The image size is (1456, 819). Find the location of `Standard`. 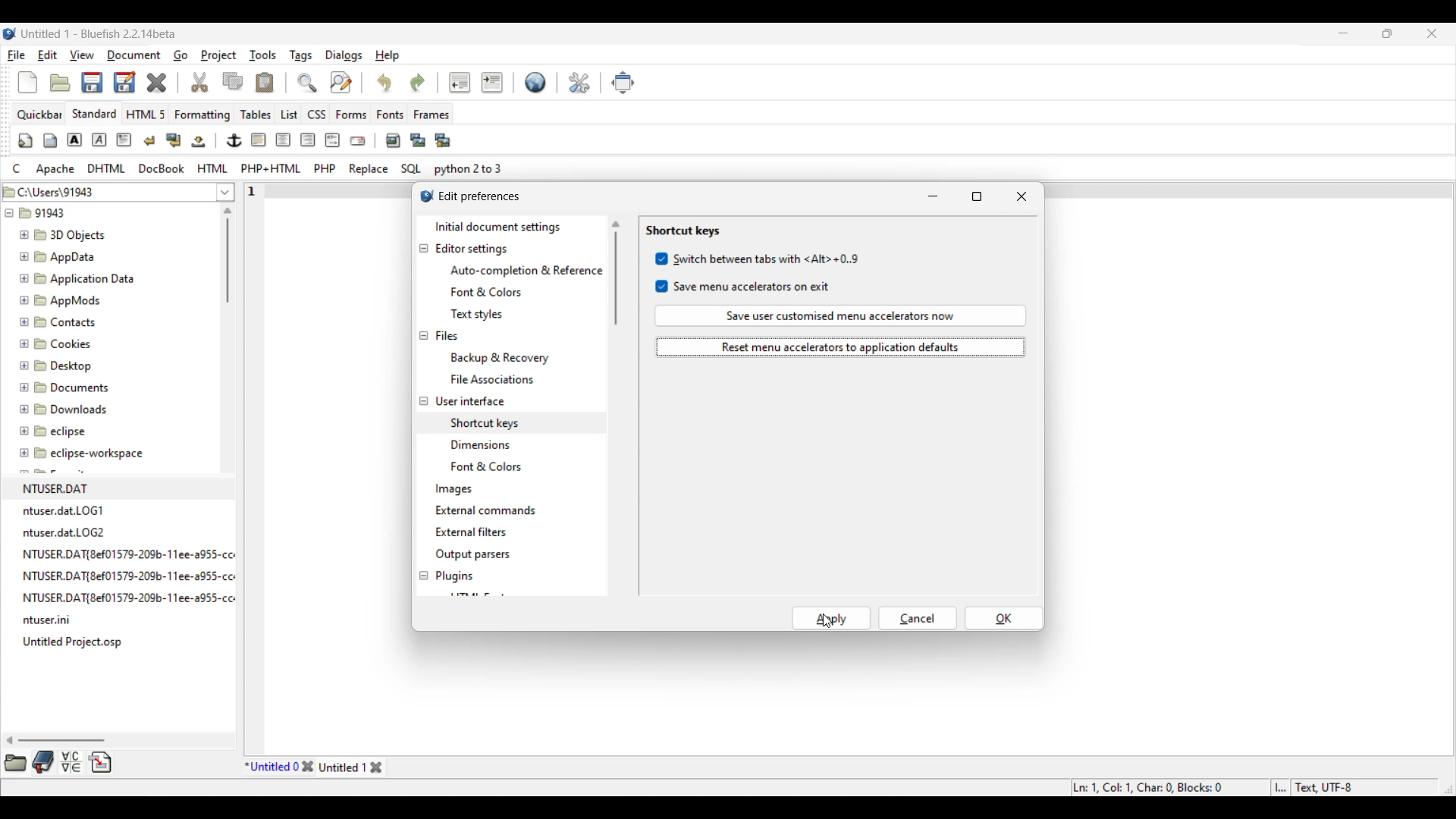

Standard is located at coordinates (94, 113).